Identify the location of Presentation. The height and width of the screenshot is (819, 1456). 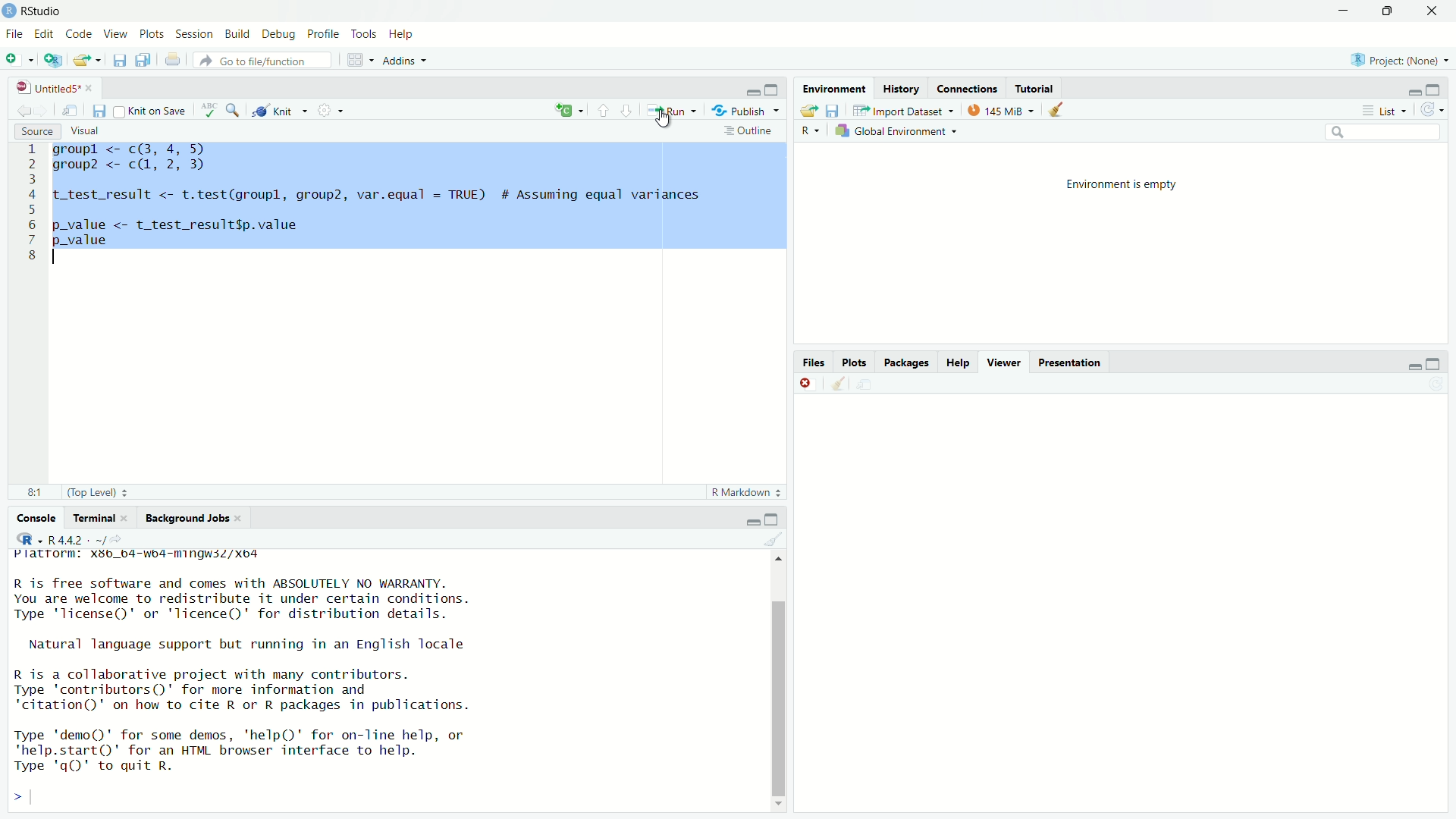
(1072, 362).